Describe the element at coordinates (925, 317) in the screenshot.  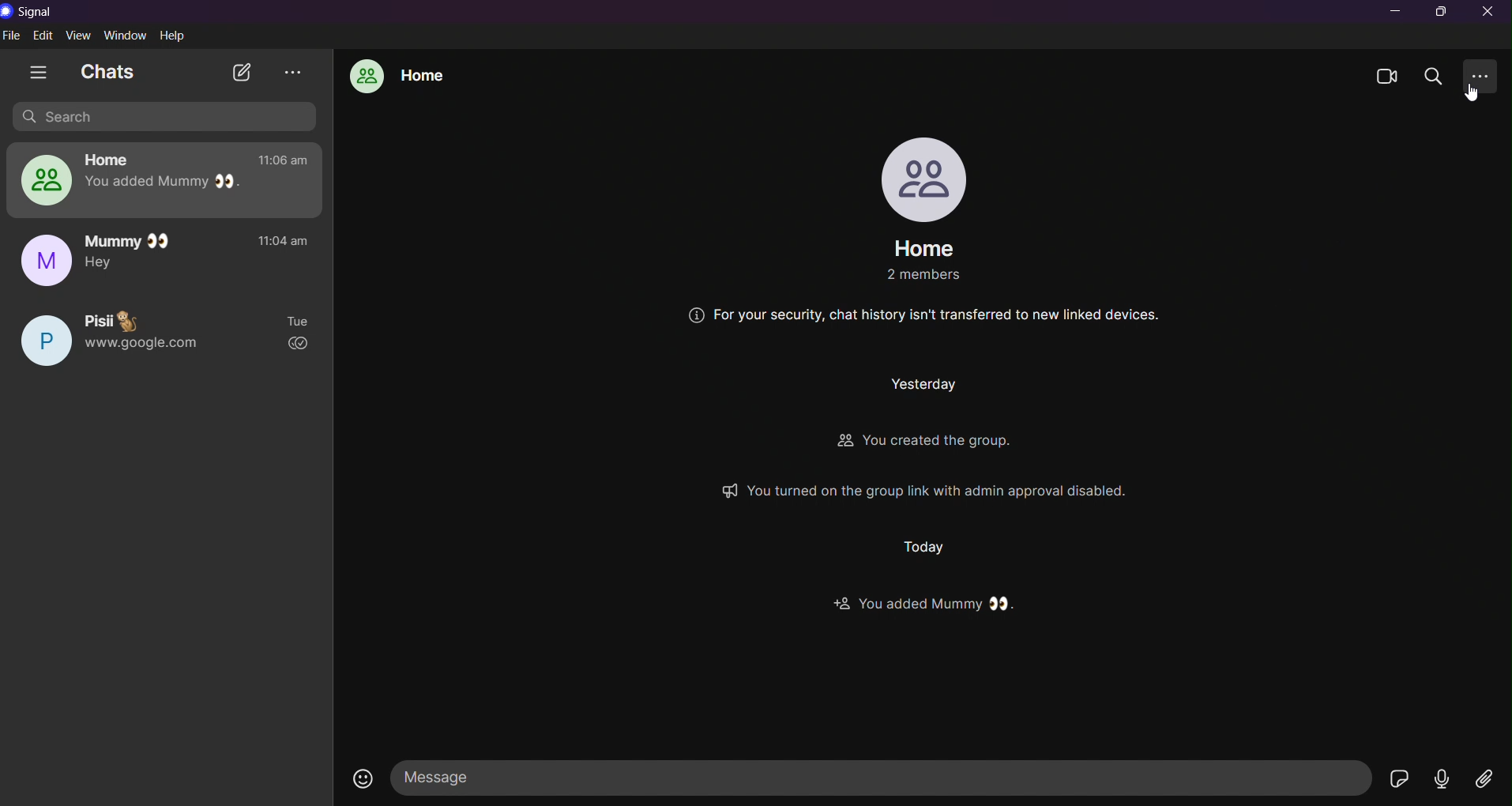
I see ` For your security, chat history isn't transferred to new linked devices.` at that location.